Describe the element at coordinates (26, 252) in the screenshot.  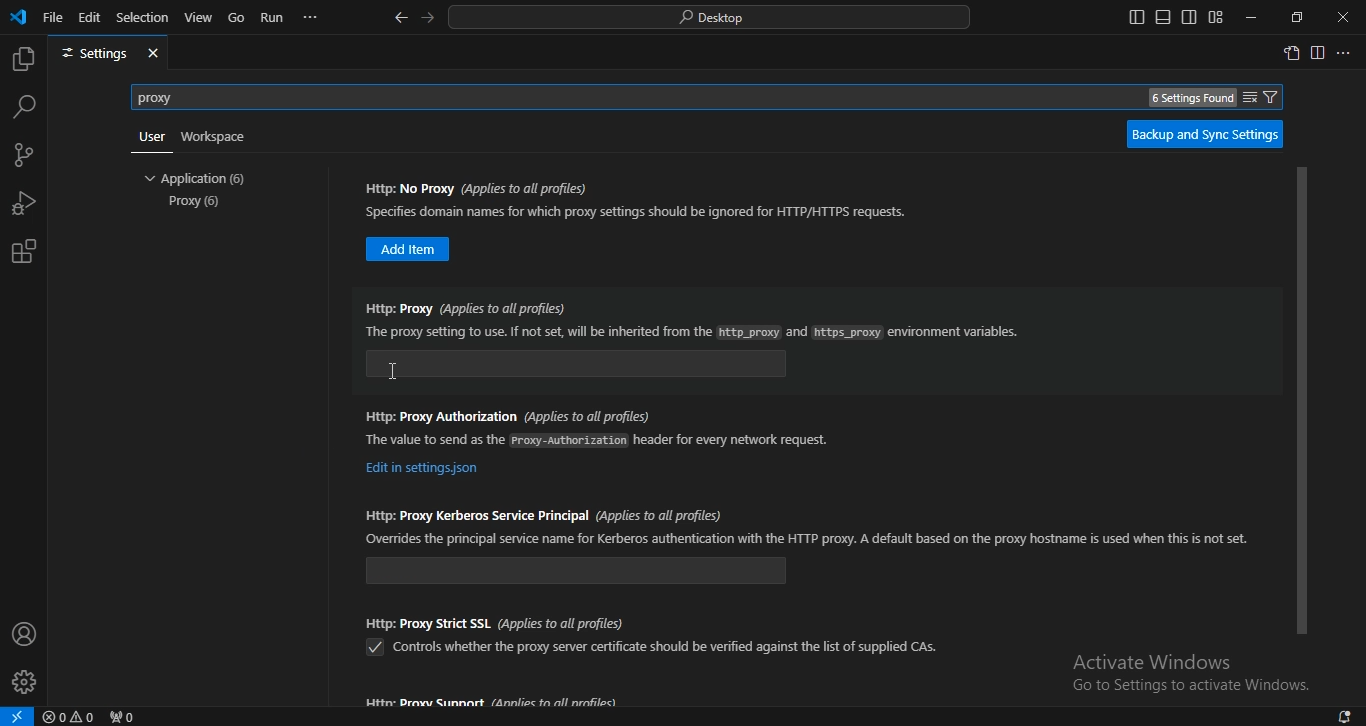
I see `extensions` at that location.